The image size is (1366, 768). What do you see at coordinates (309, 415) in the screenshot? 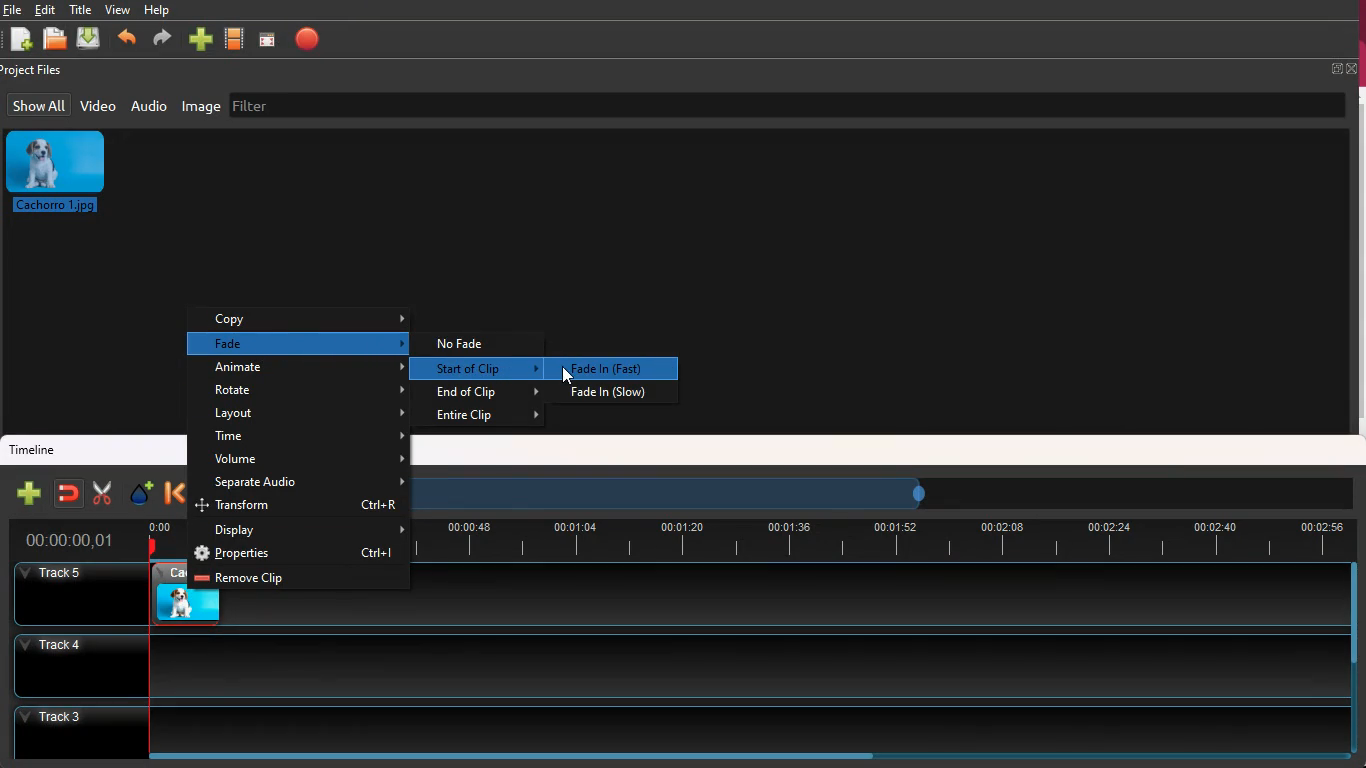
I see `layout` at bounding box center [309, 415].